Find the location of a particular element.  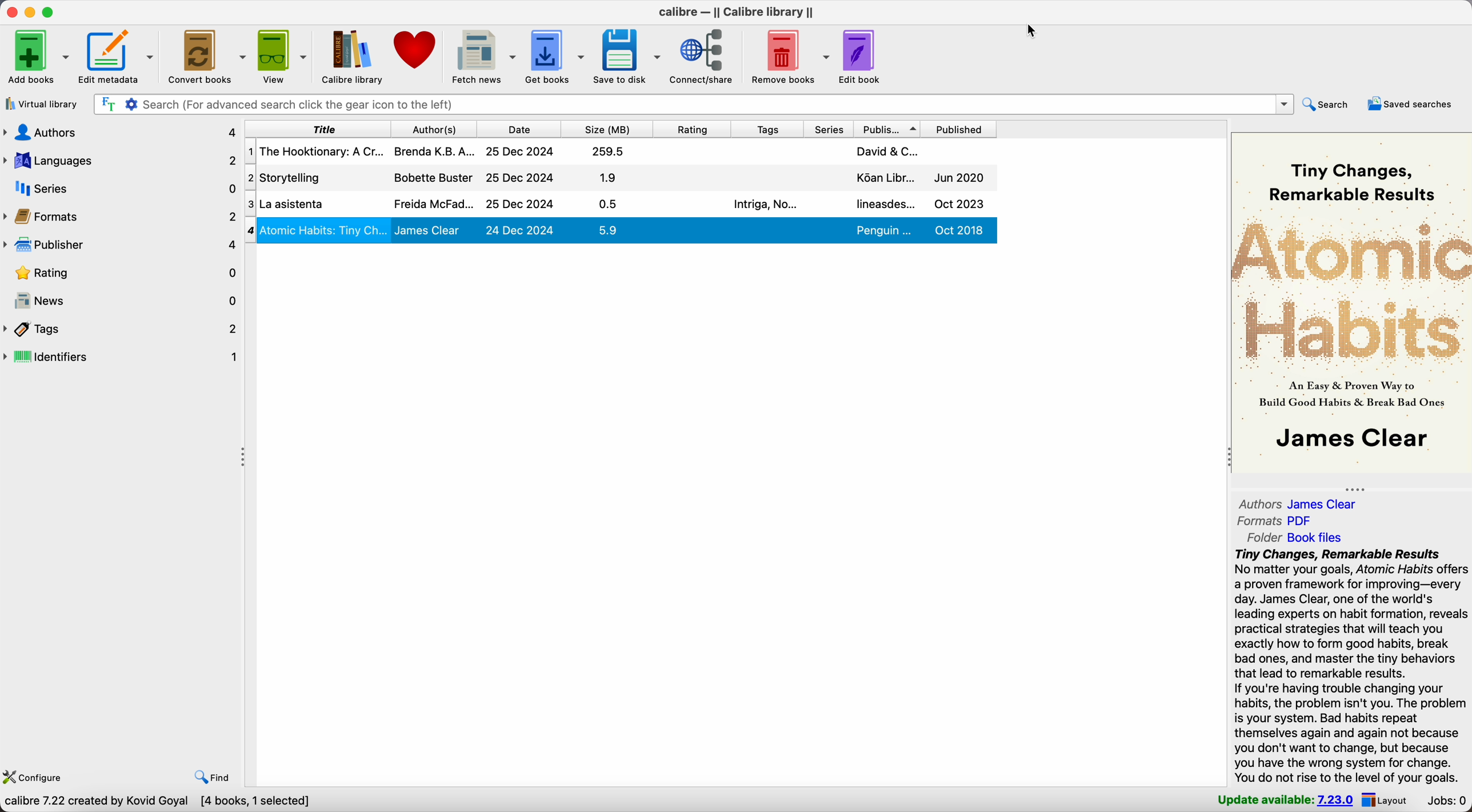

toggle expand/contract is located at coordinates (1229, 456).